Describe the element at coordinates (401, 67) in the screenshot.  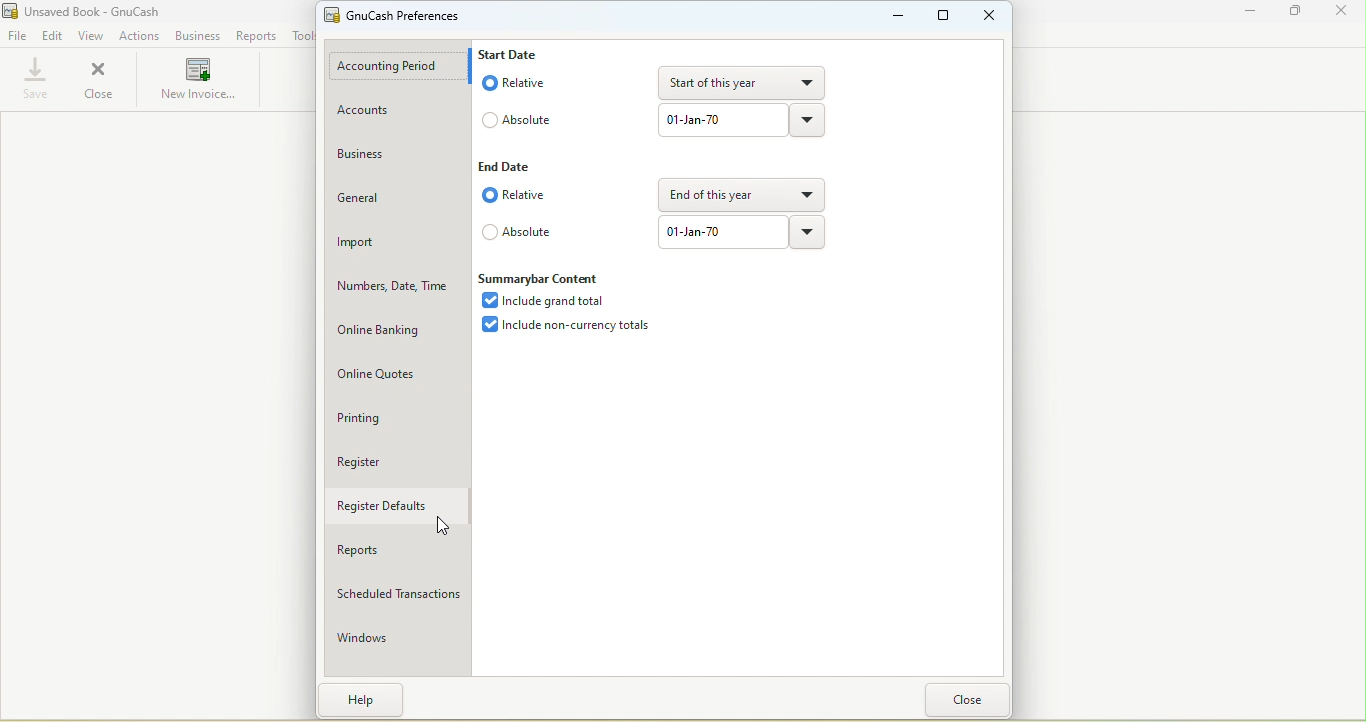
I see `Accounting period` at that location.